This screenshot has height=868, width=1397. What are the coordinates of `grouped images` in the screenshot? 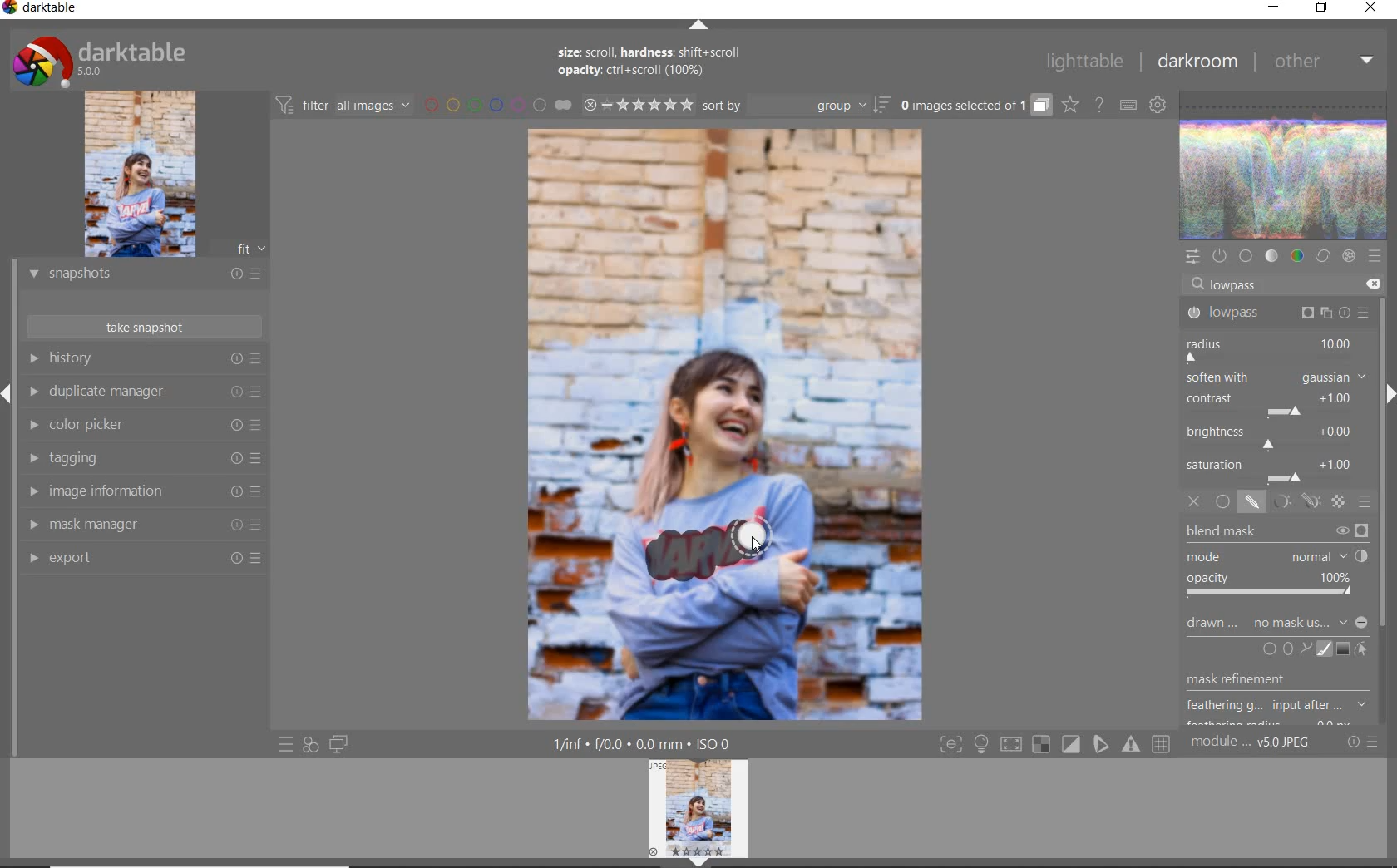 It's located at (975, 106).